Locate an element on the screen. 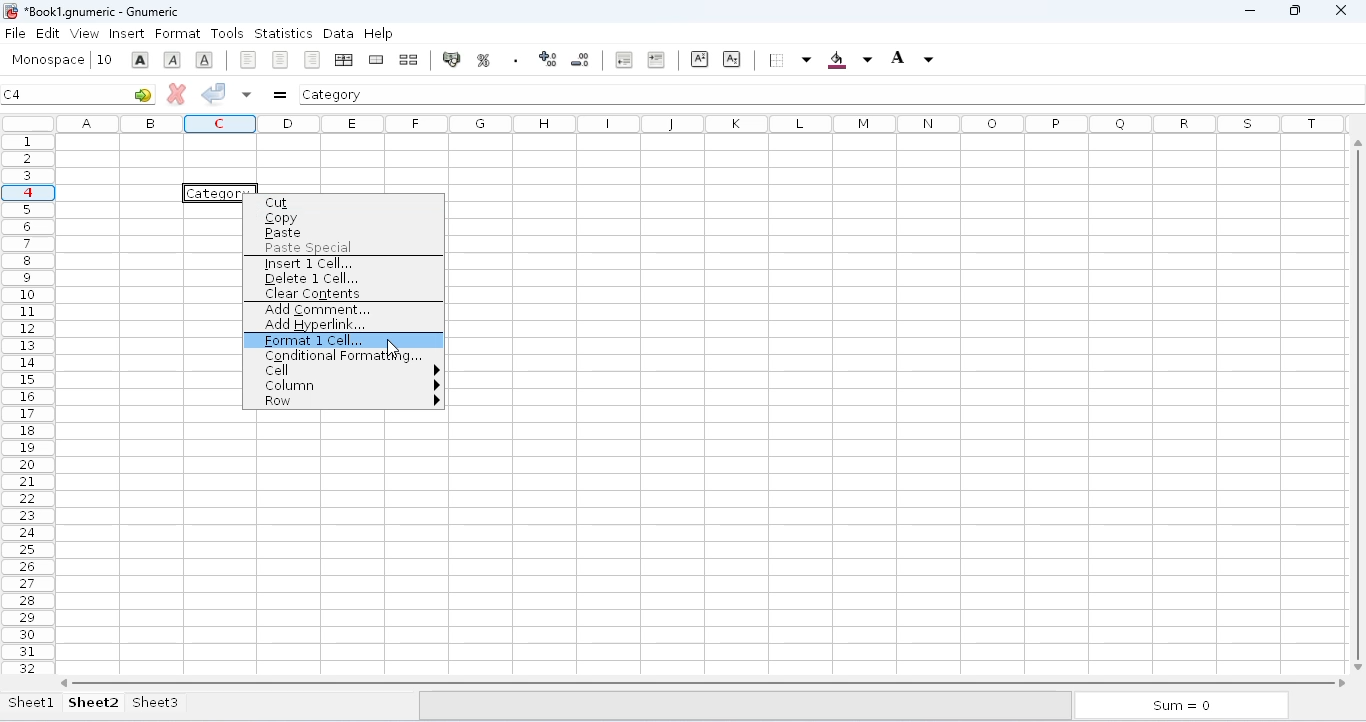 The width and height of the screenshot is (1366, 722). increase the number of decimals displayed is located at coordinates (548, 59).